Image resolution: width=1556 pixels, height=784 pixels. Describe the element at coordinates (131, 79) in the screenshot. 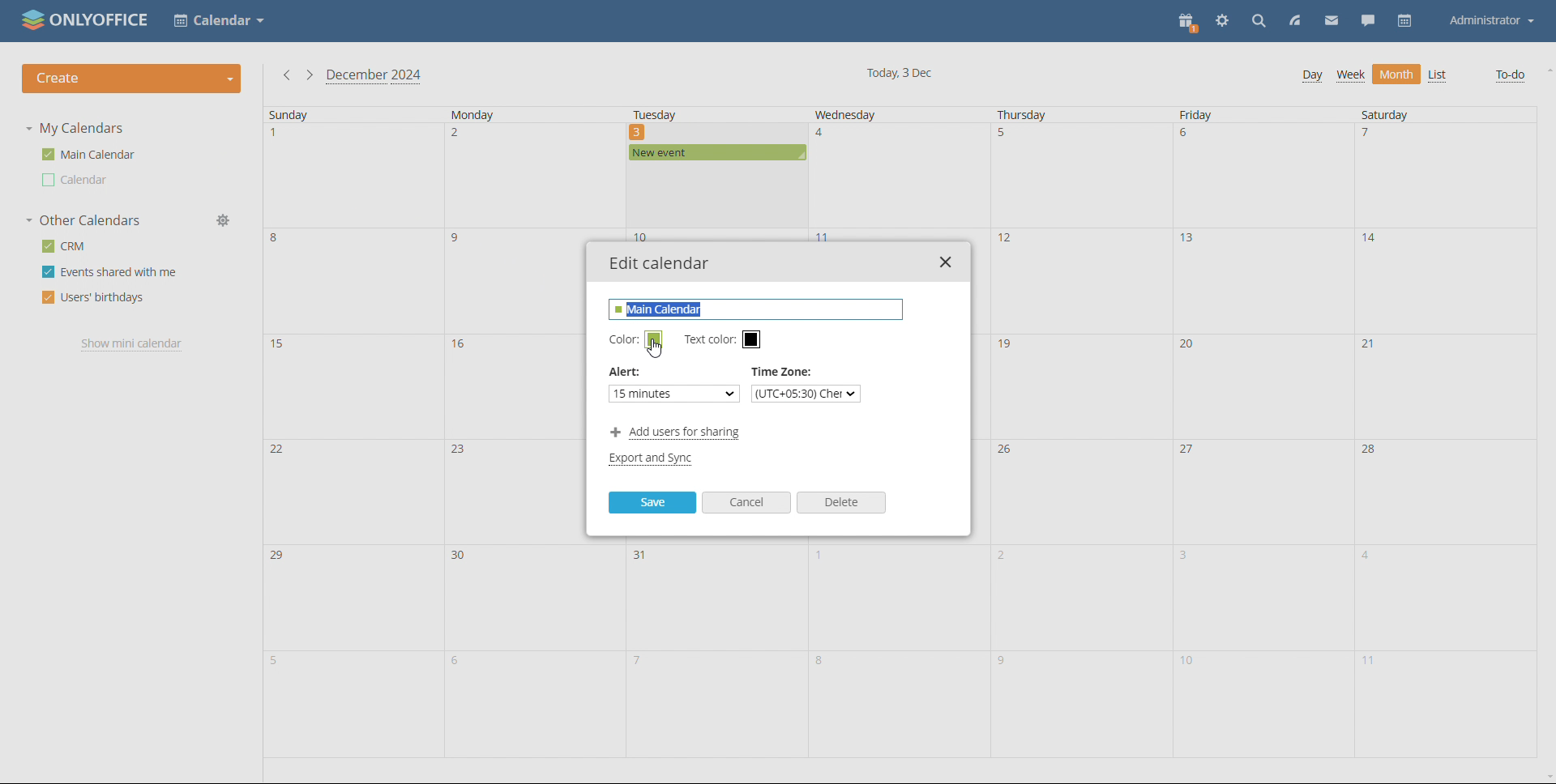

I see `create` at that location.